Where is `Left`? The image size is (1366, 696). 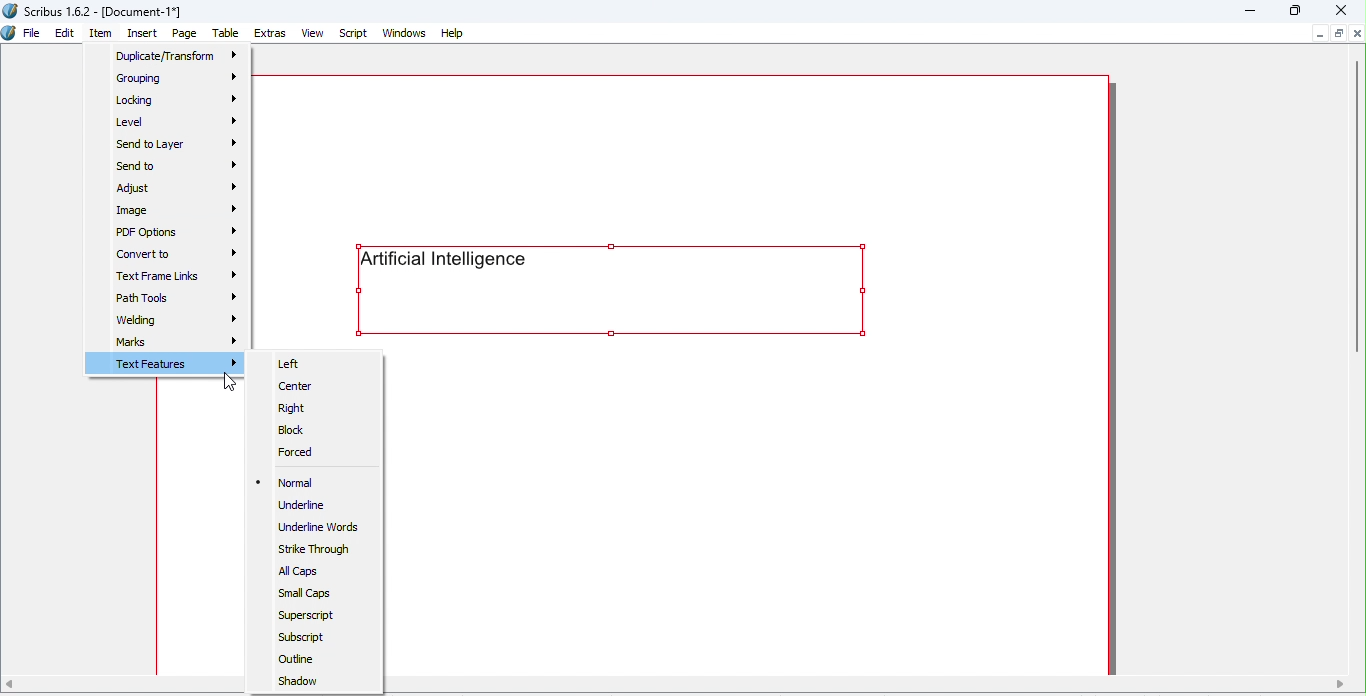
Left is located at coordinates (290, 363).